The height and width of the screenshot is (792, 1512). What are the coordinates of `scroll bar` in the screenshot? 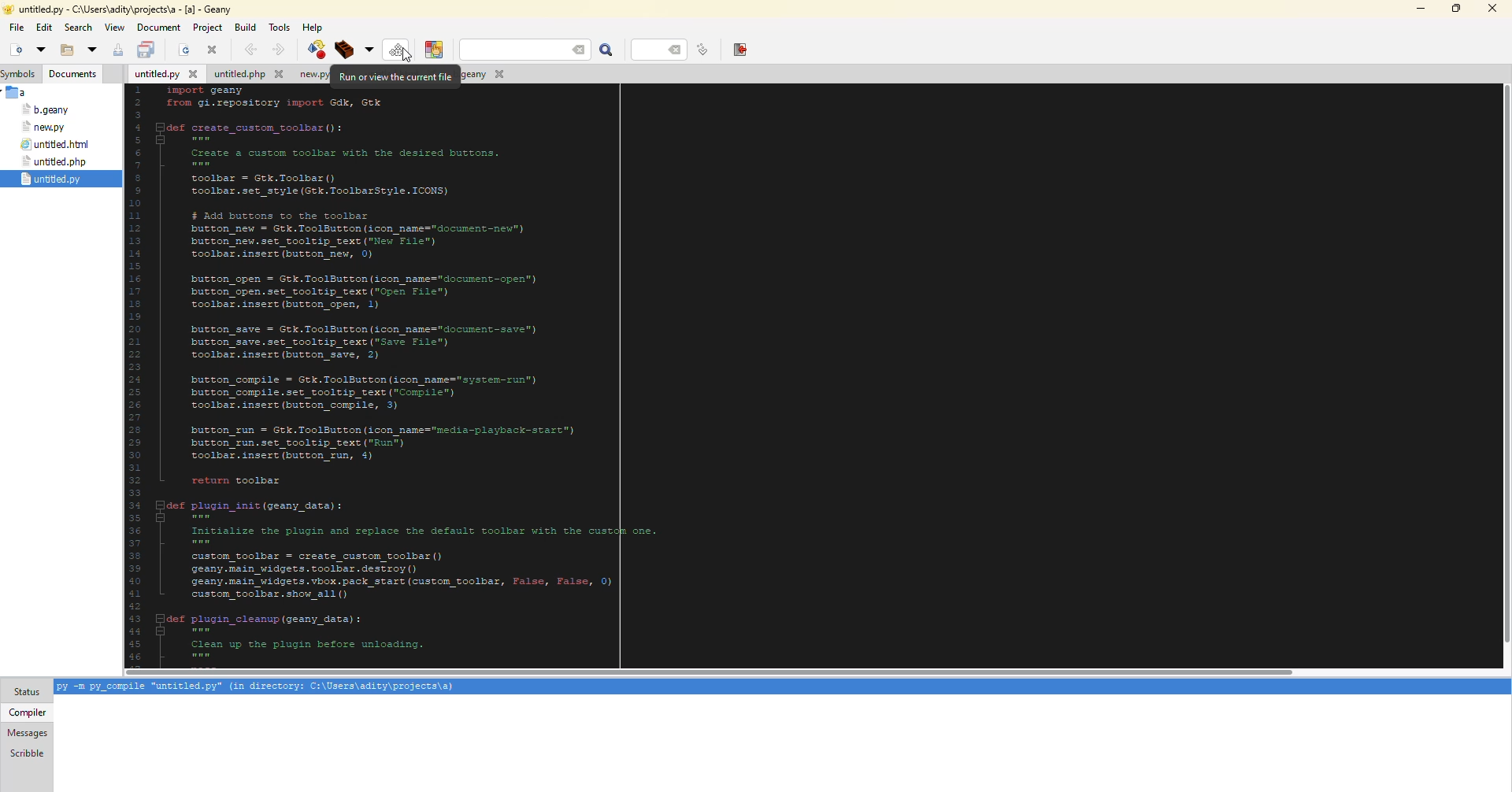 It's located at (702, 672).